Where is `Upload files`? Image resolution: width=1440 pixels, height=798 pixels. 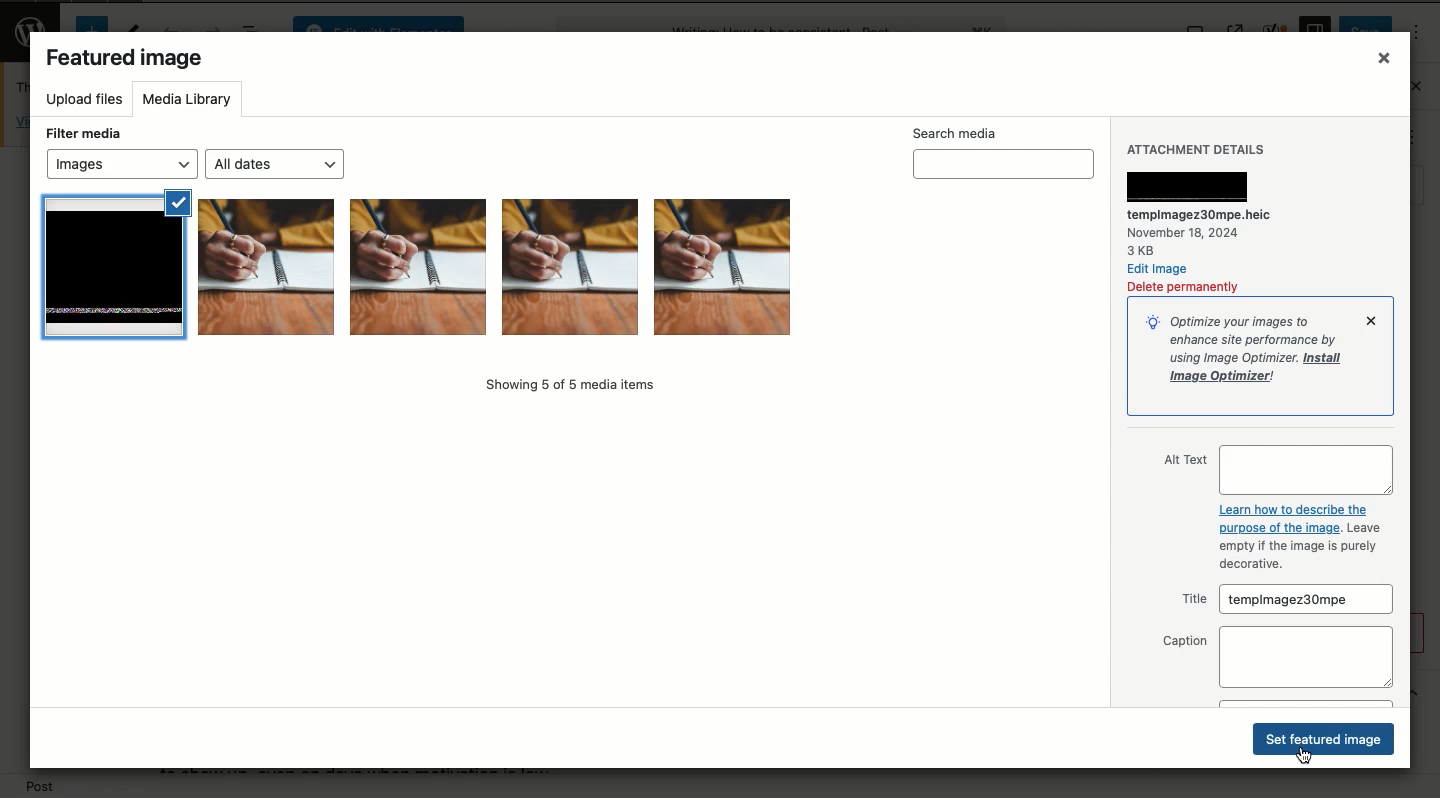
Upload files is located at coordinates (81, 101).